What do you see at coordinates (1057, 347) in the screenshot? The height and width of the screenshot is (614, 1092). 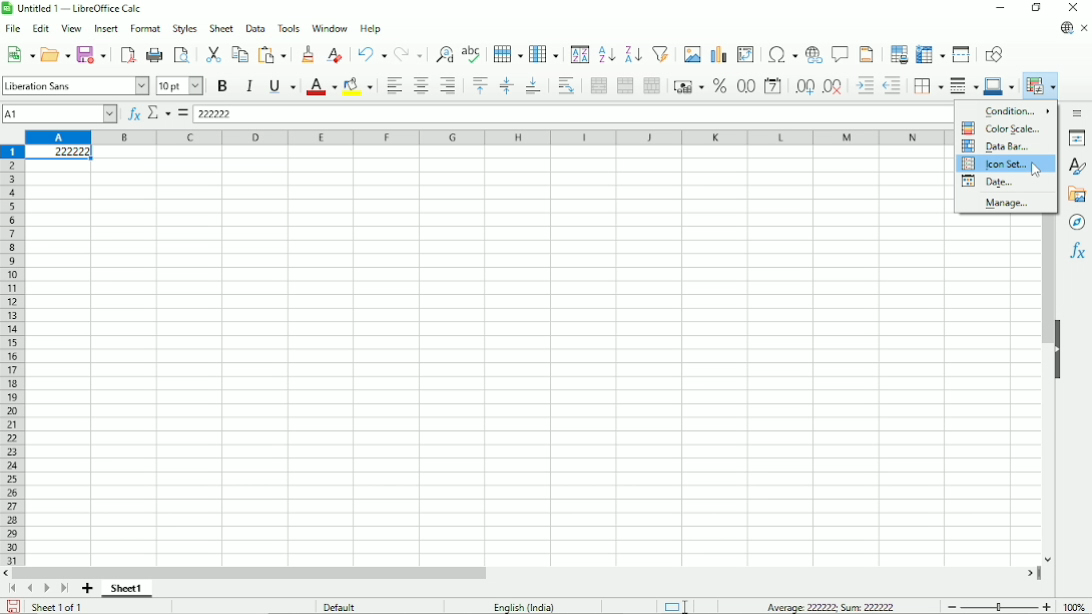 I see `Hide` at bounding box center [1057, 347].